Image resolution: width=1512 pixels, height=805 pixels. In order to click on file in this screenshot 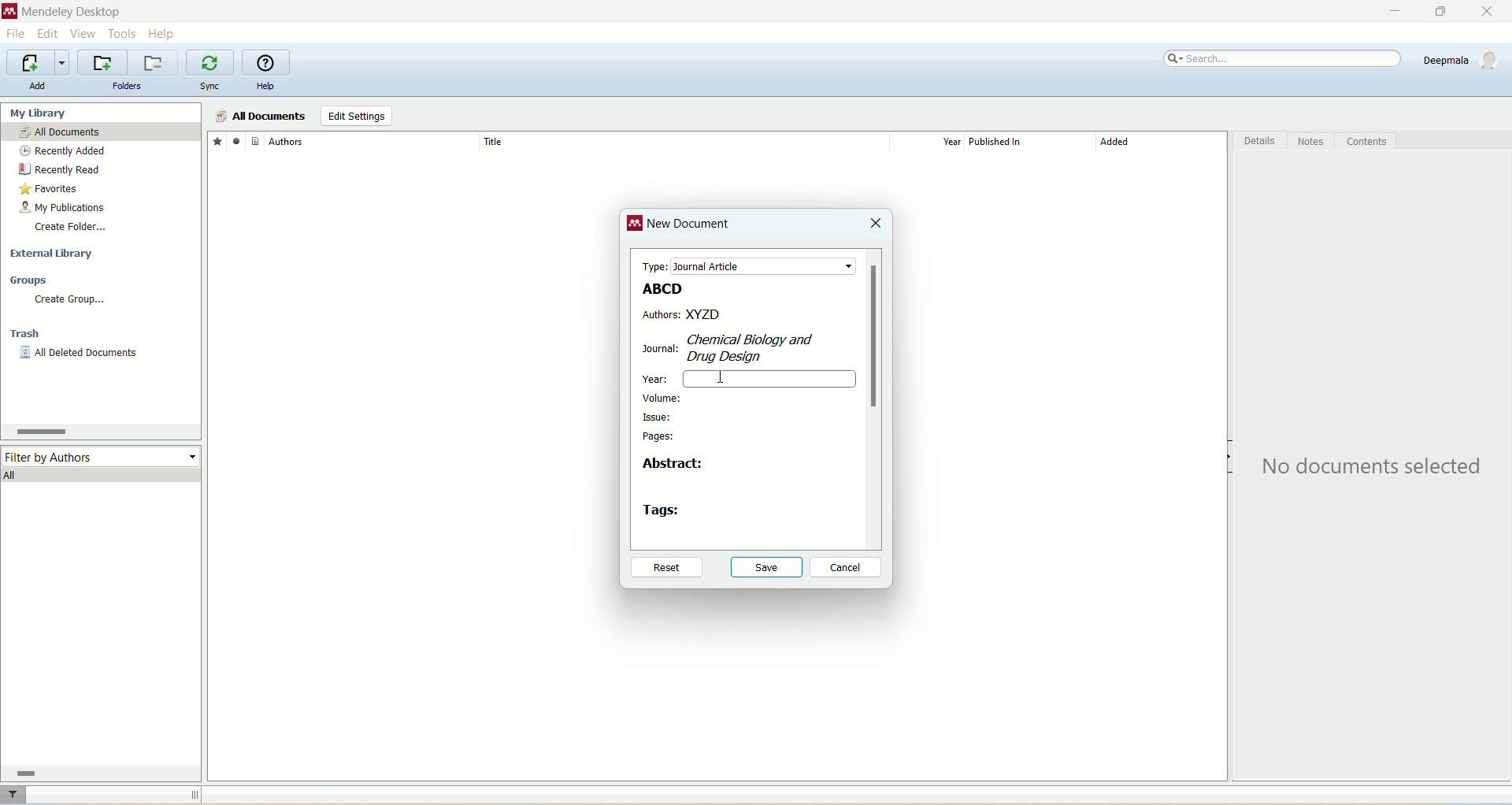, I will do `click(15, 35)`.